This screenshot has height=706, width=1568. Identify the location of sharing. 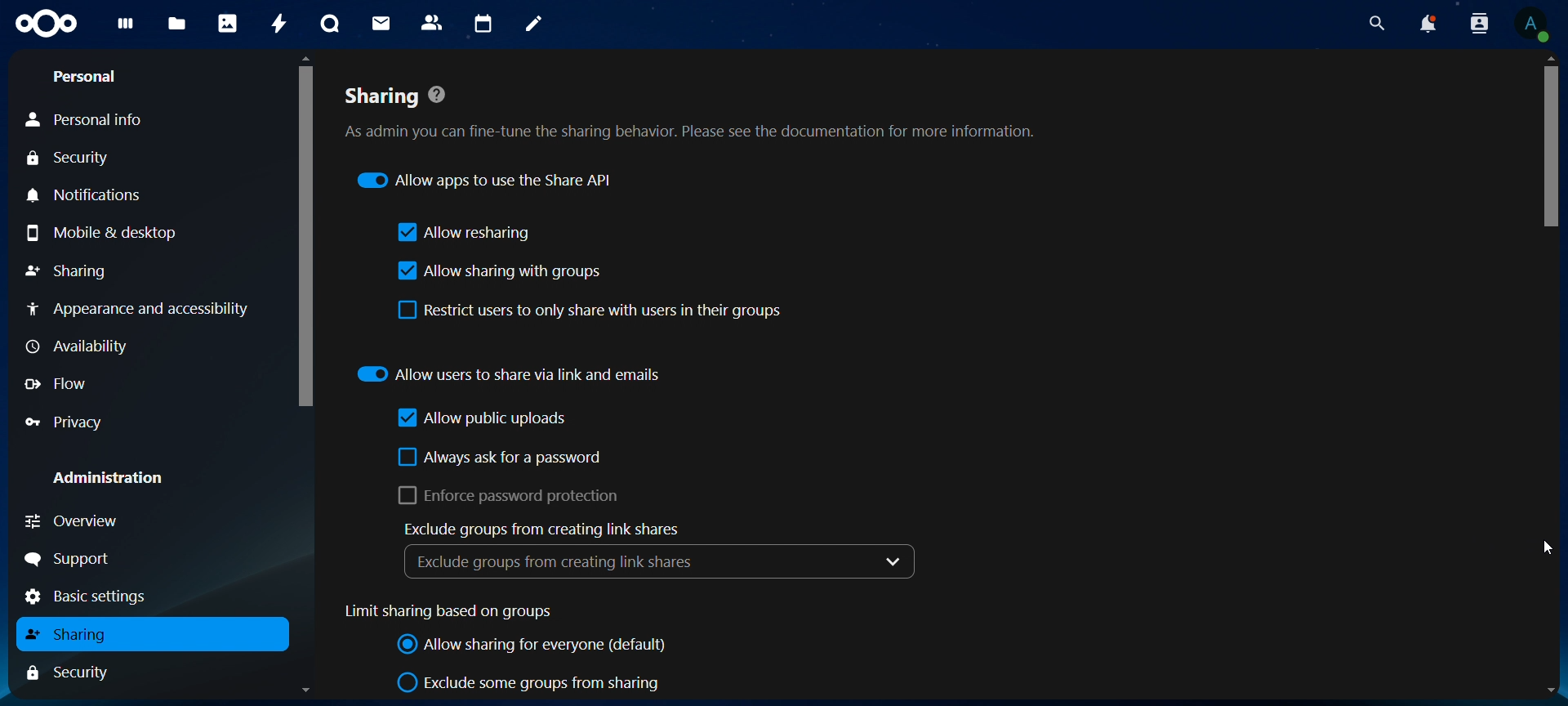
(691, 116).